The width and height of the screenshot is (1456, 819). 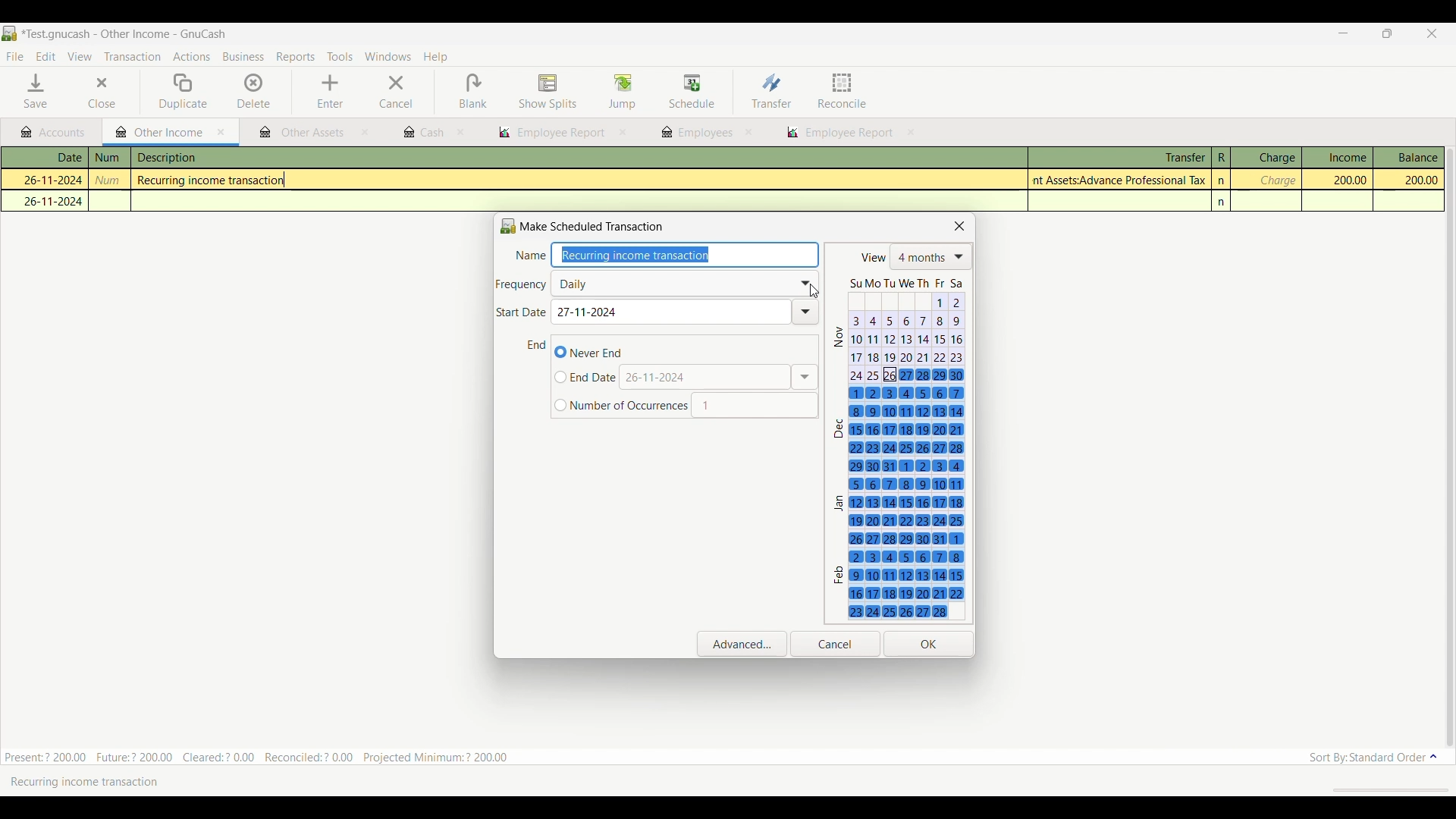 I want to click on Next 4 months calendar, starting with the current date, so click(x=899, y=448).